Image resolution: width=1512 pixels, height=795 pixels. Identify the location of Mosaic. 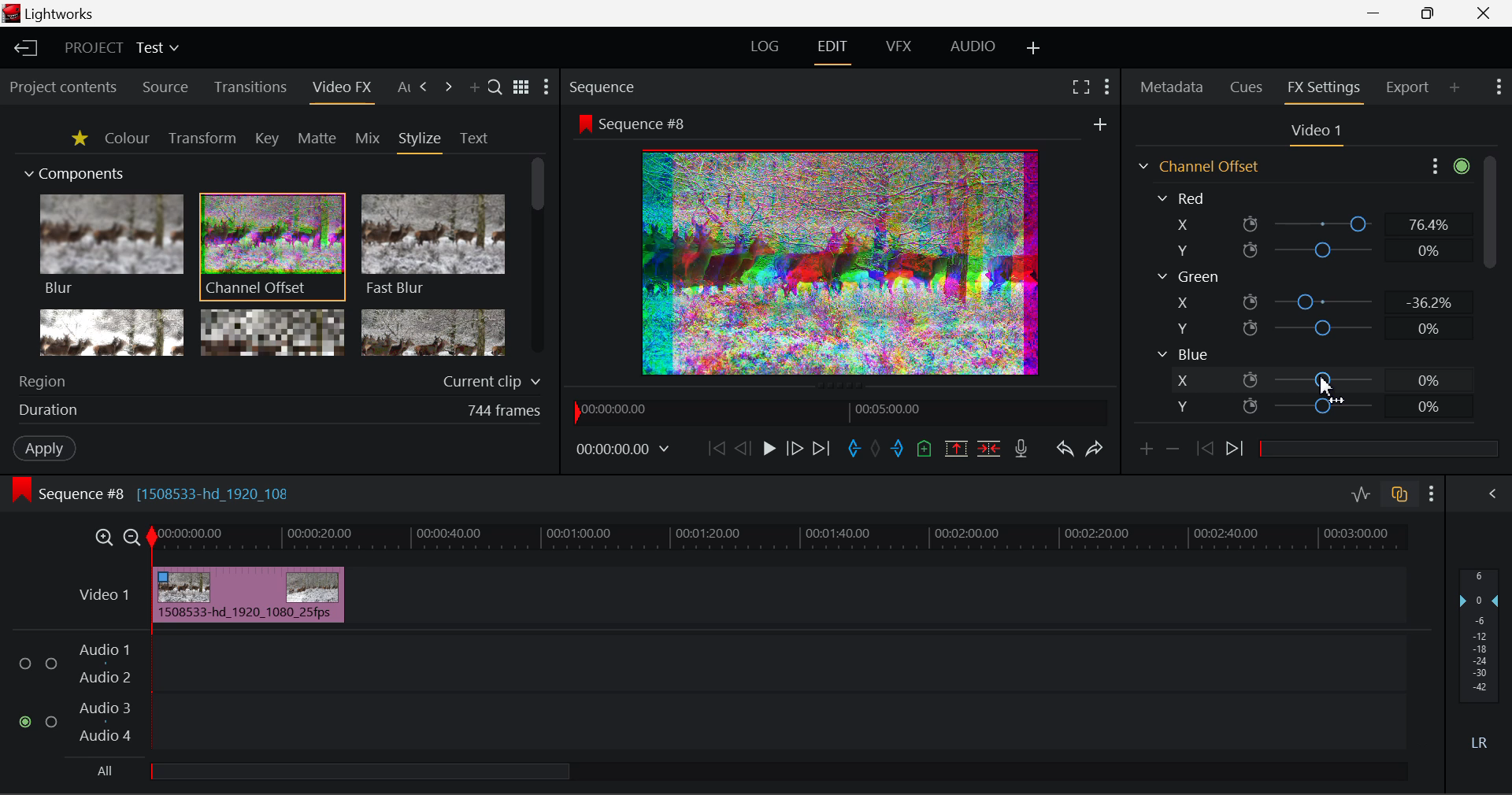
(272, 331).